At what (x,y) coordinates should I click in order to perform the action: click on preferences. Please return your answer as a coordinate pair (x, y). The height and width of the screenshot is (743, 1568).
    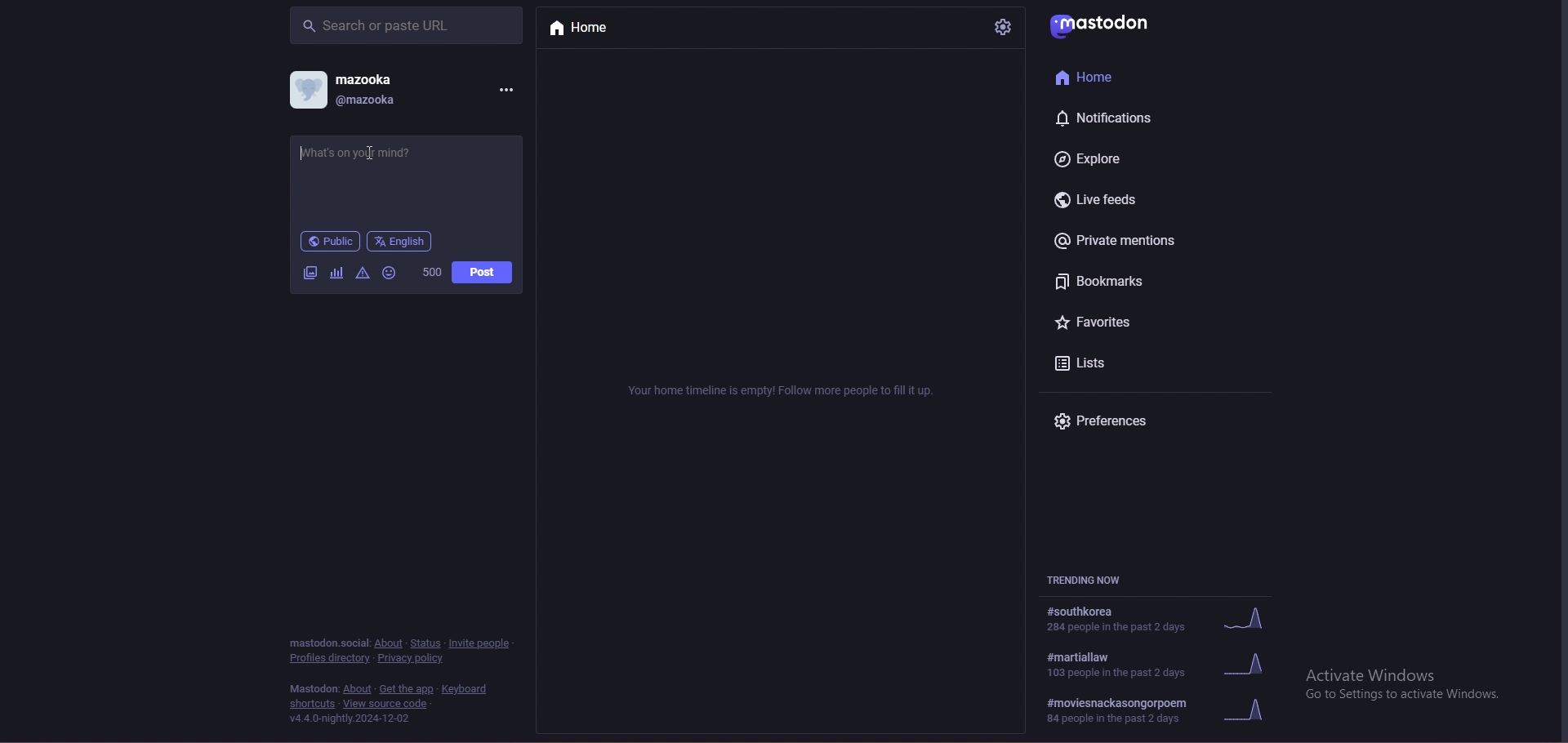
    Looking at the image, I should click on (1144, 418).